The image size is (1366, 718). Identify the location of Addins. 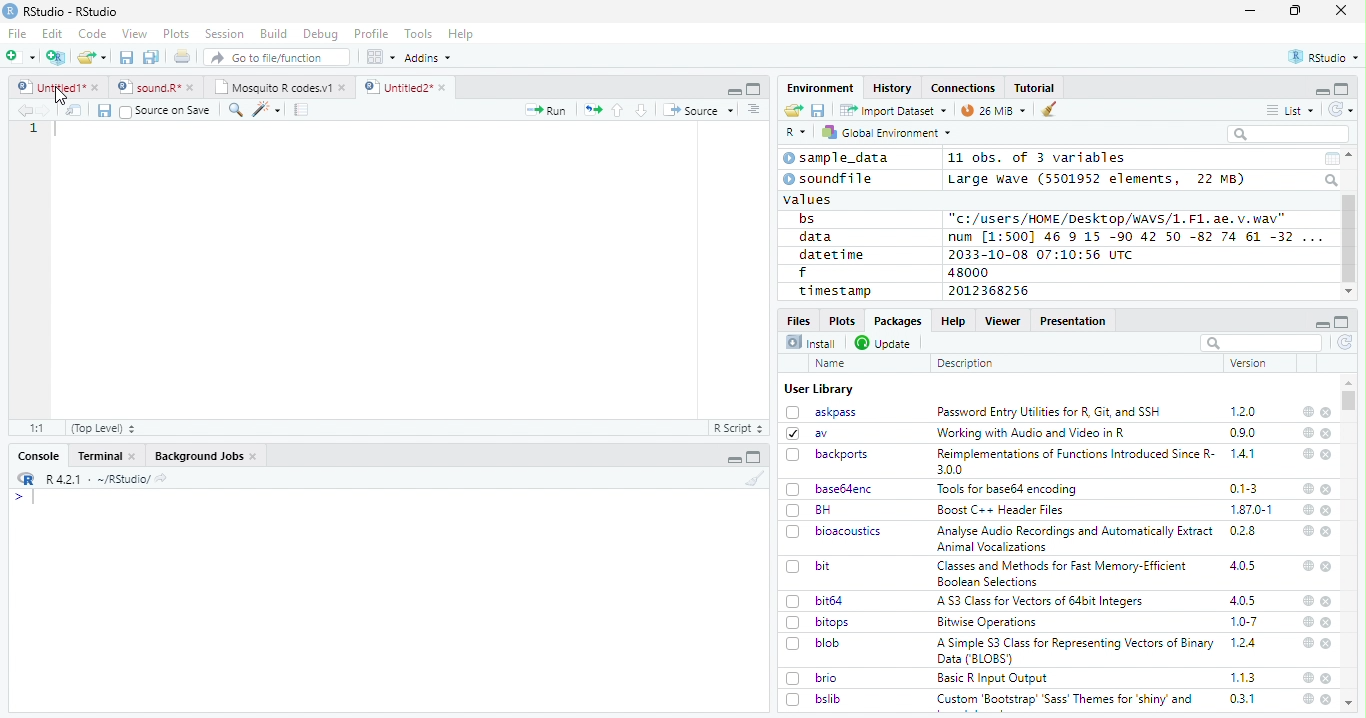
(428, 58).